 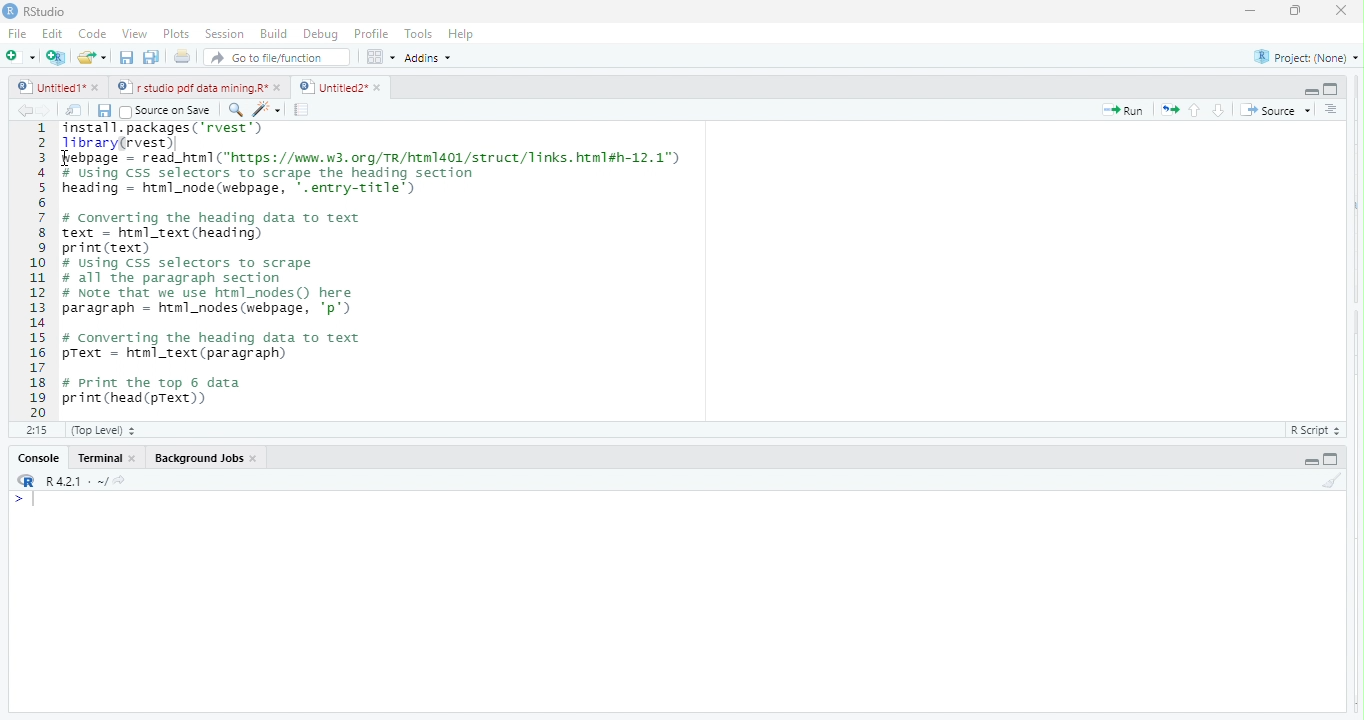 What do you see at coordinates (104, 430) in the screenshot?
I see `(top Level)` at bounding box center [104, 430].